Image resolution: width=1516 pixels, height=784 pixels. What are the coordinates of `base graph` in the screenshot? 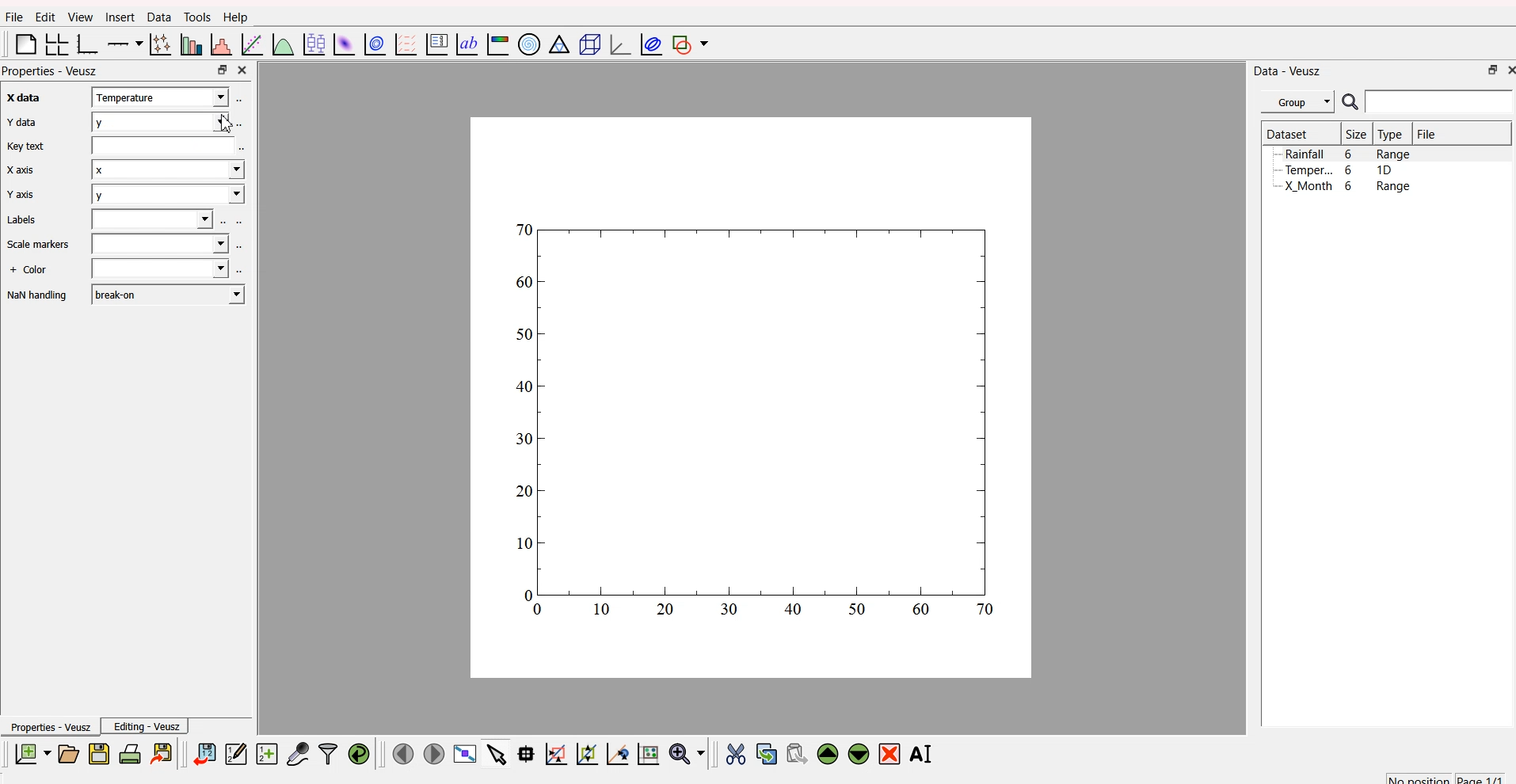 It's located at (88, 44).